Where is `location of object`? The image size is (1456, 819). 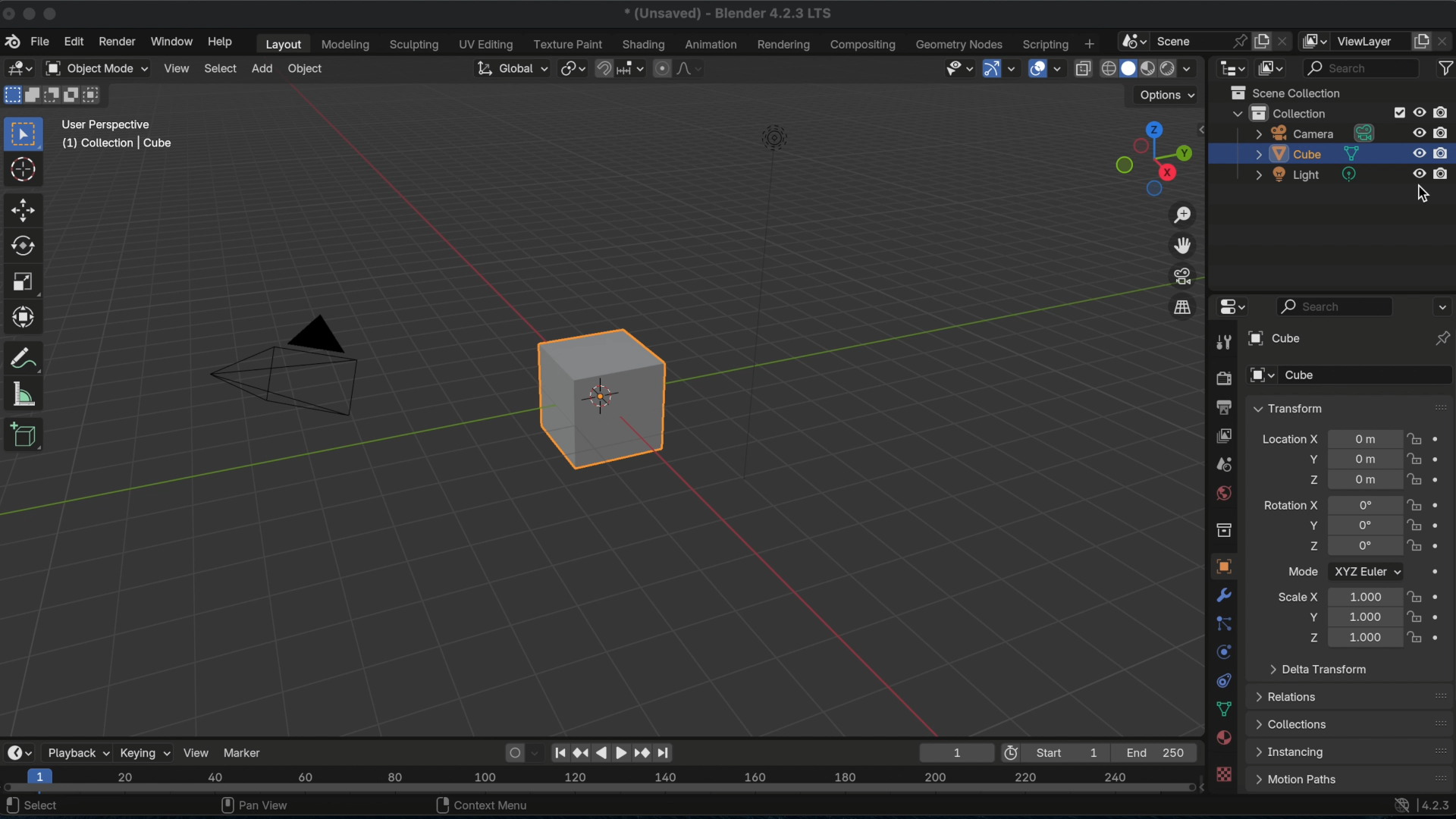
location of object is located at coordinates (1367, 439).